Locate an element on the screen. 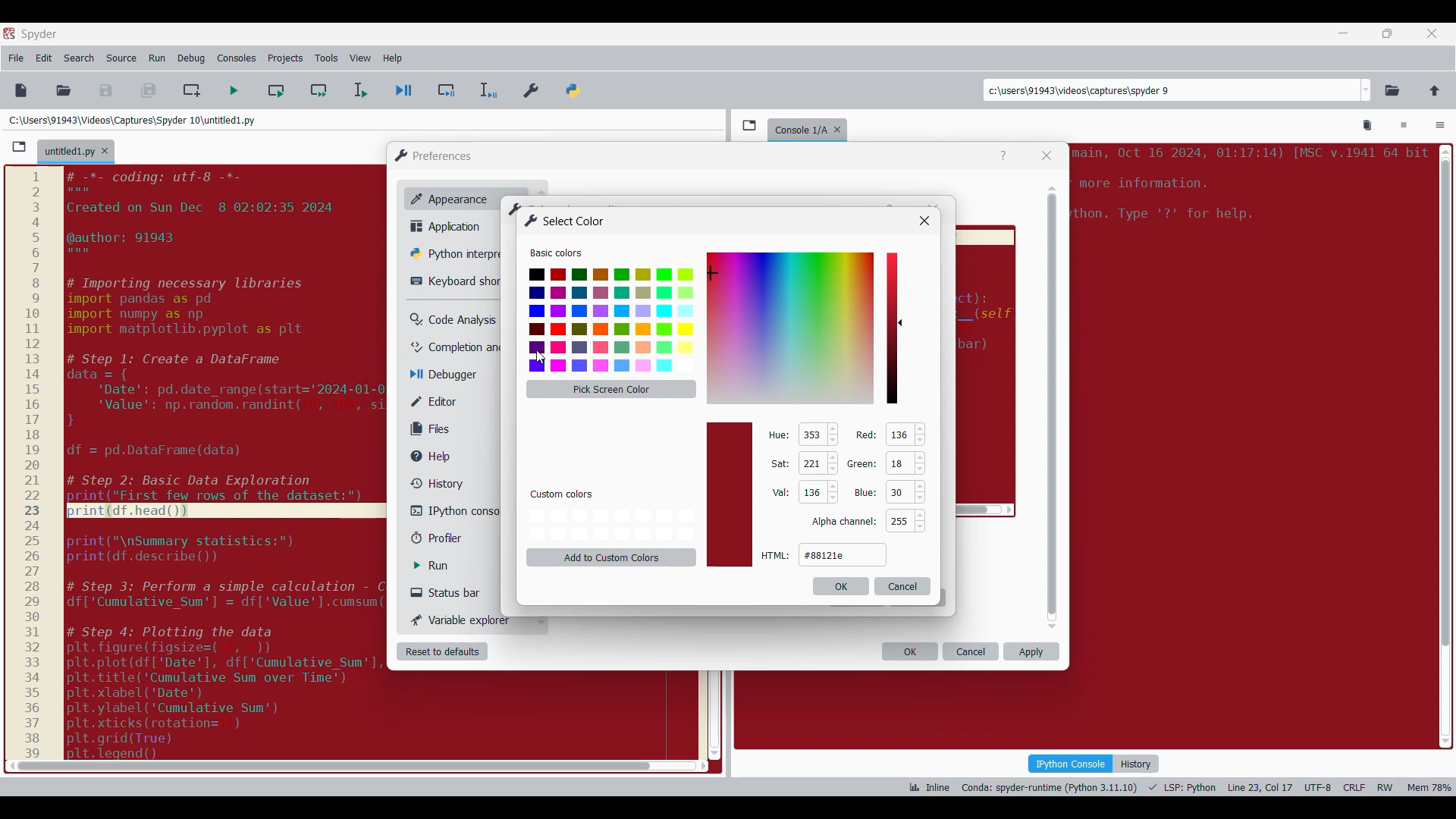 Image resolution: width=1456 pixels, height=819 pixels. Run is located at coordinates (442, 566).